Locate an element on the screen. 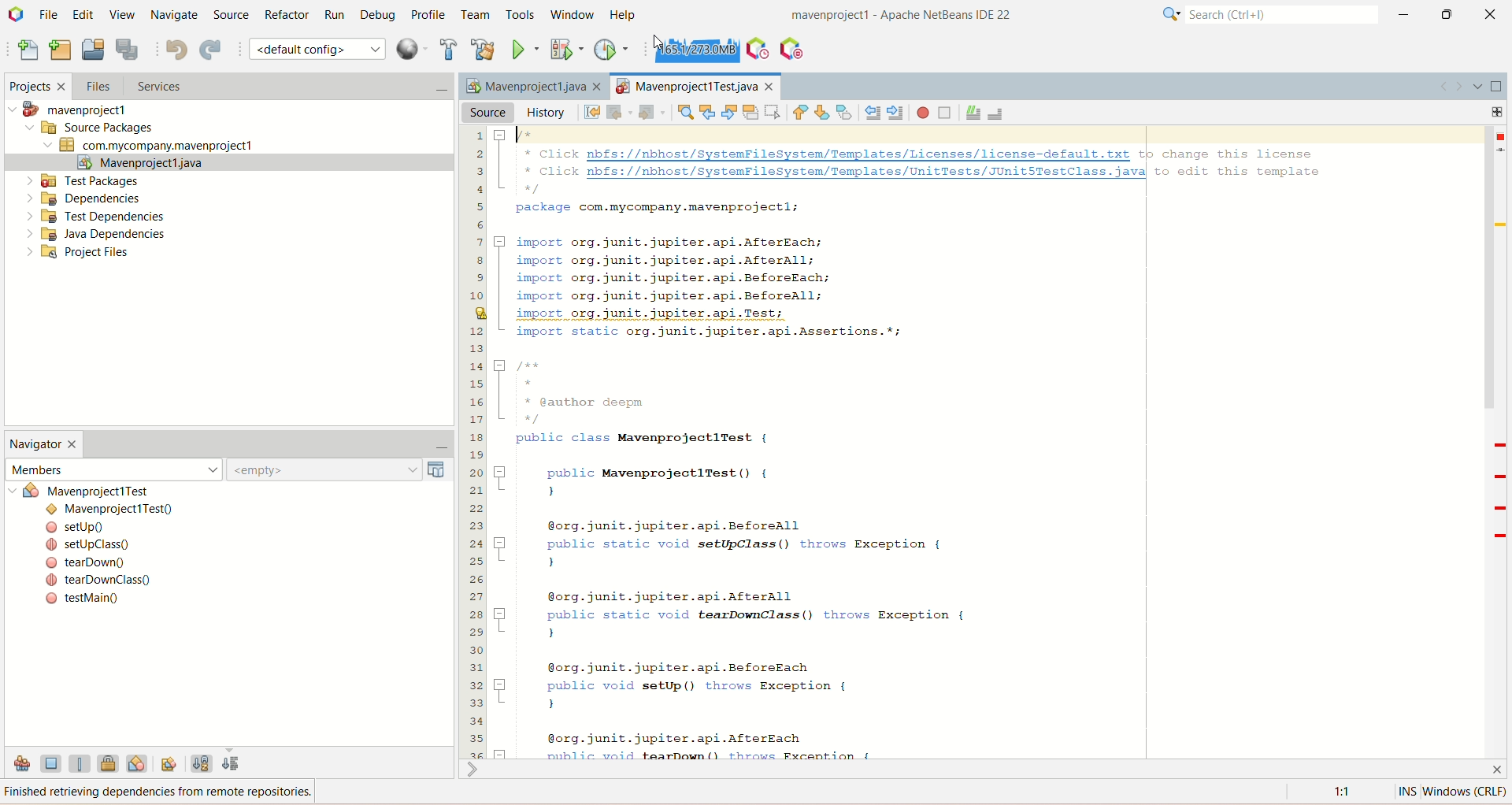 The width and height of the screenshot is (1512, 805). next bookmark is located at coordinates (825, 111).